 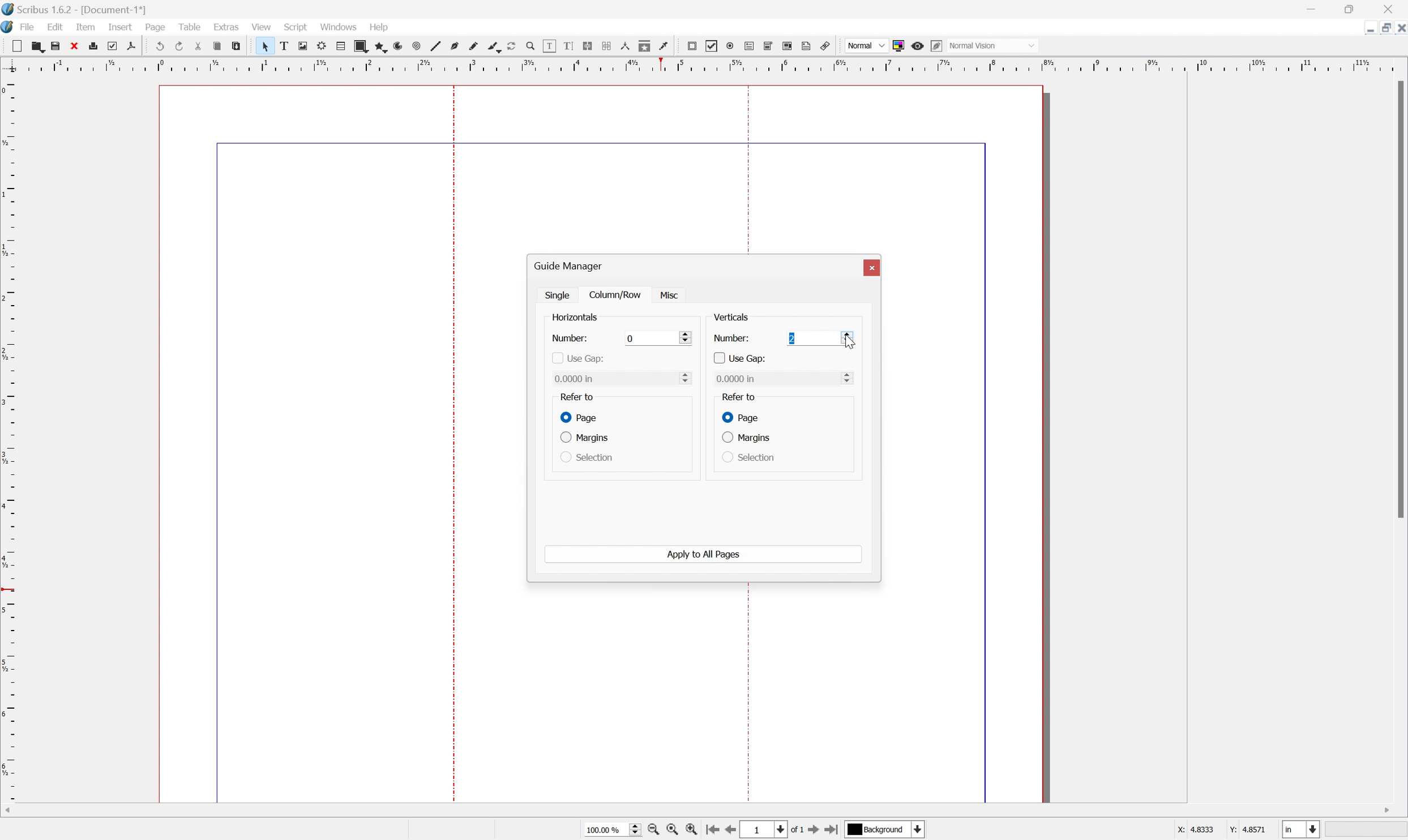 What do you see at coordinates (397, 47) in the screenshot?
I see `arc` at bounding box center [397, 47].